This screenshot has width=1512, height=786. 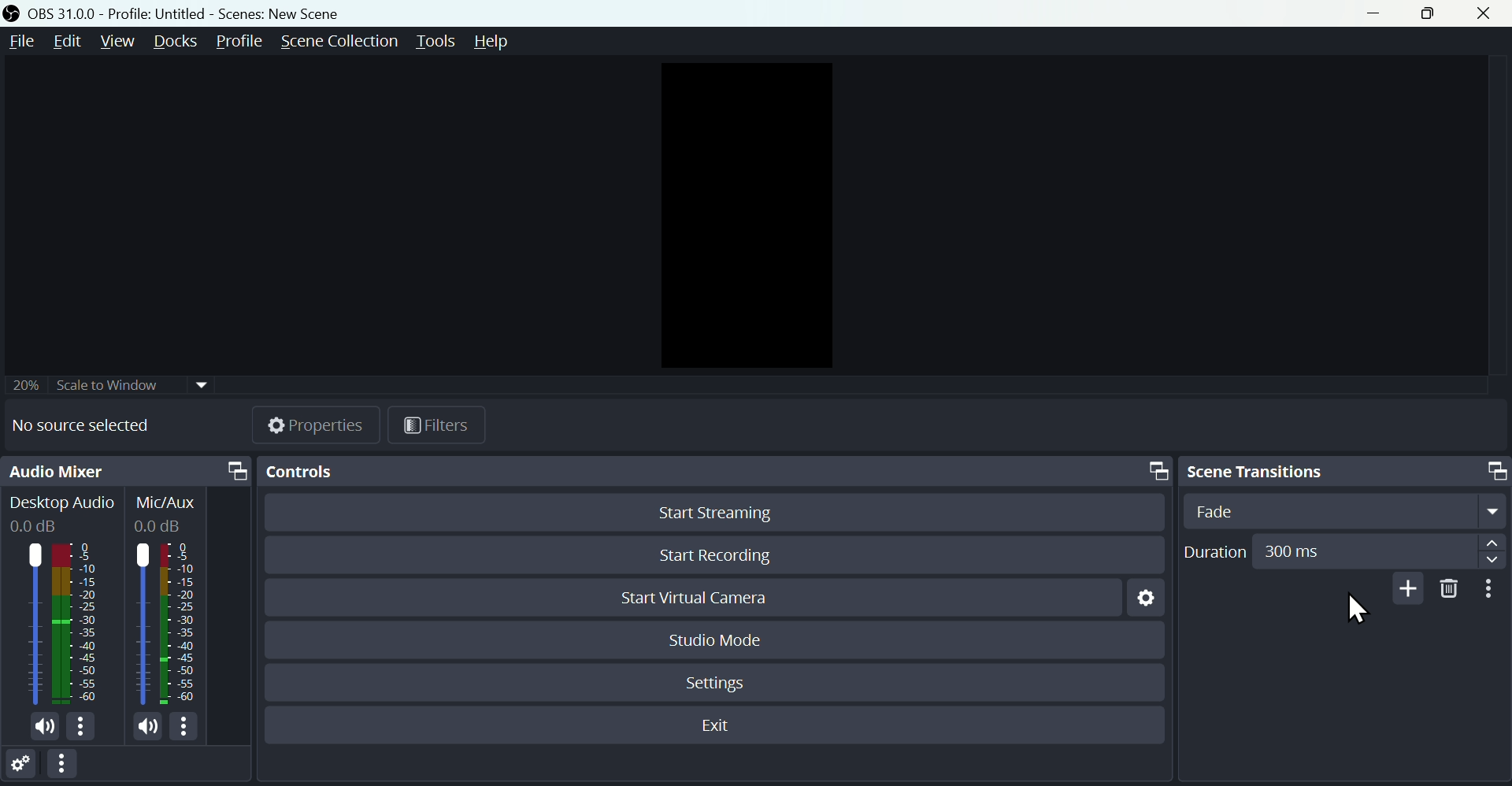 I want to click on Select Transition, so click(x=1345, y=510).